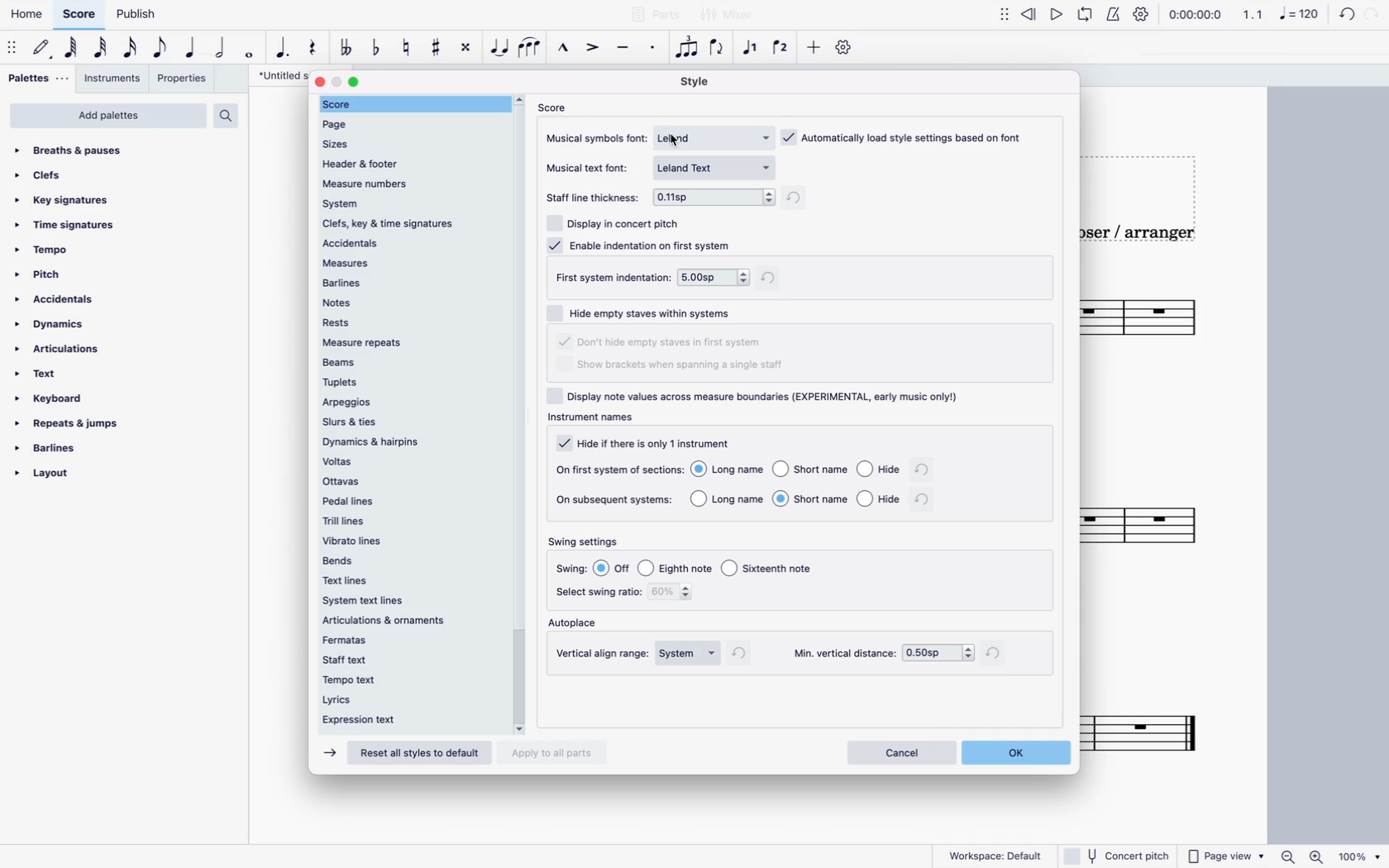 Image resolution: width=1389 pixels, height=868 pixels. Describe the element at coordinates (596, 419) in the screenshot. I see `instrument names` at that location.